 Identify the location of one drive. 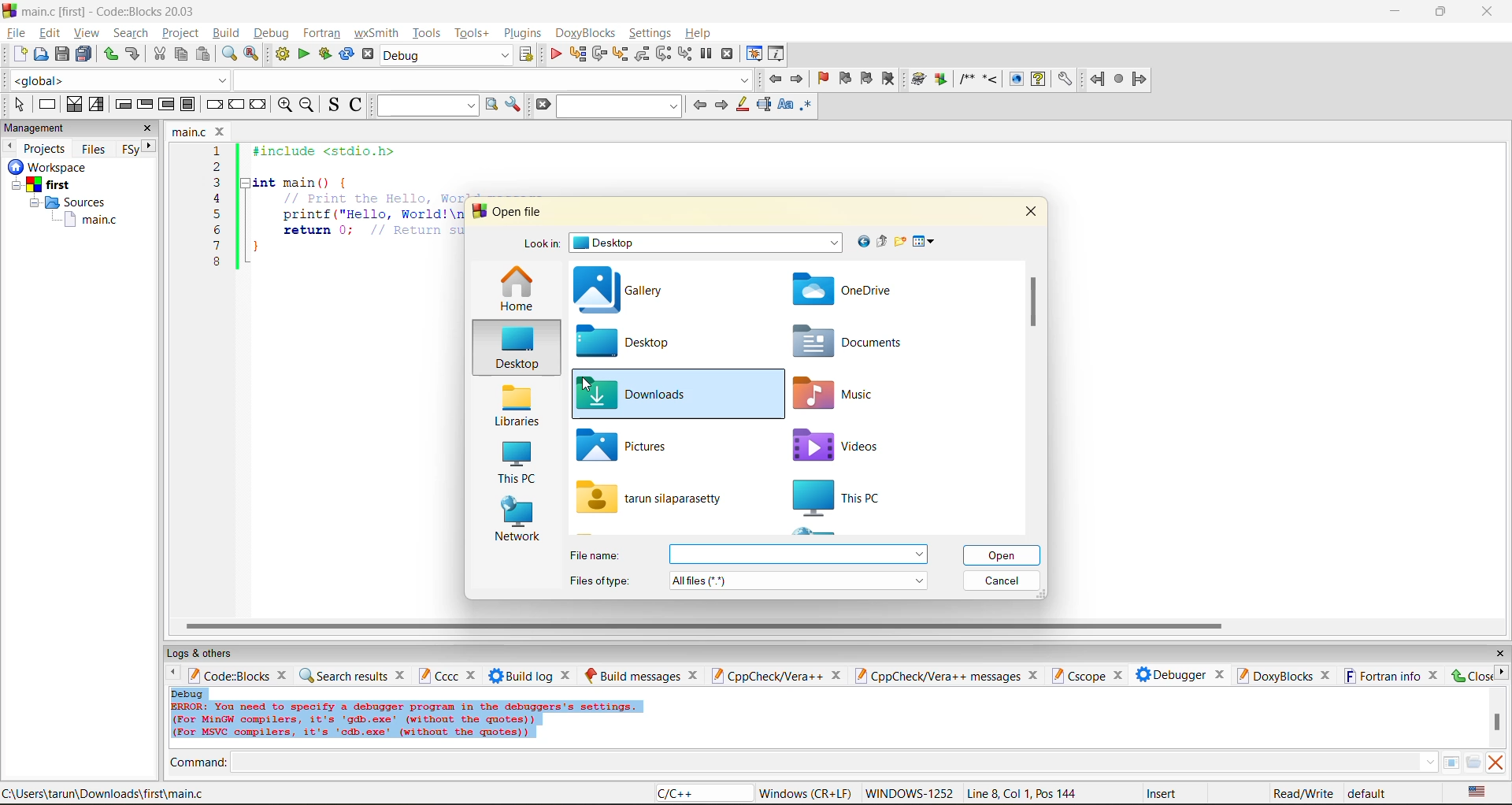
(846, 291).